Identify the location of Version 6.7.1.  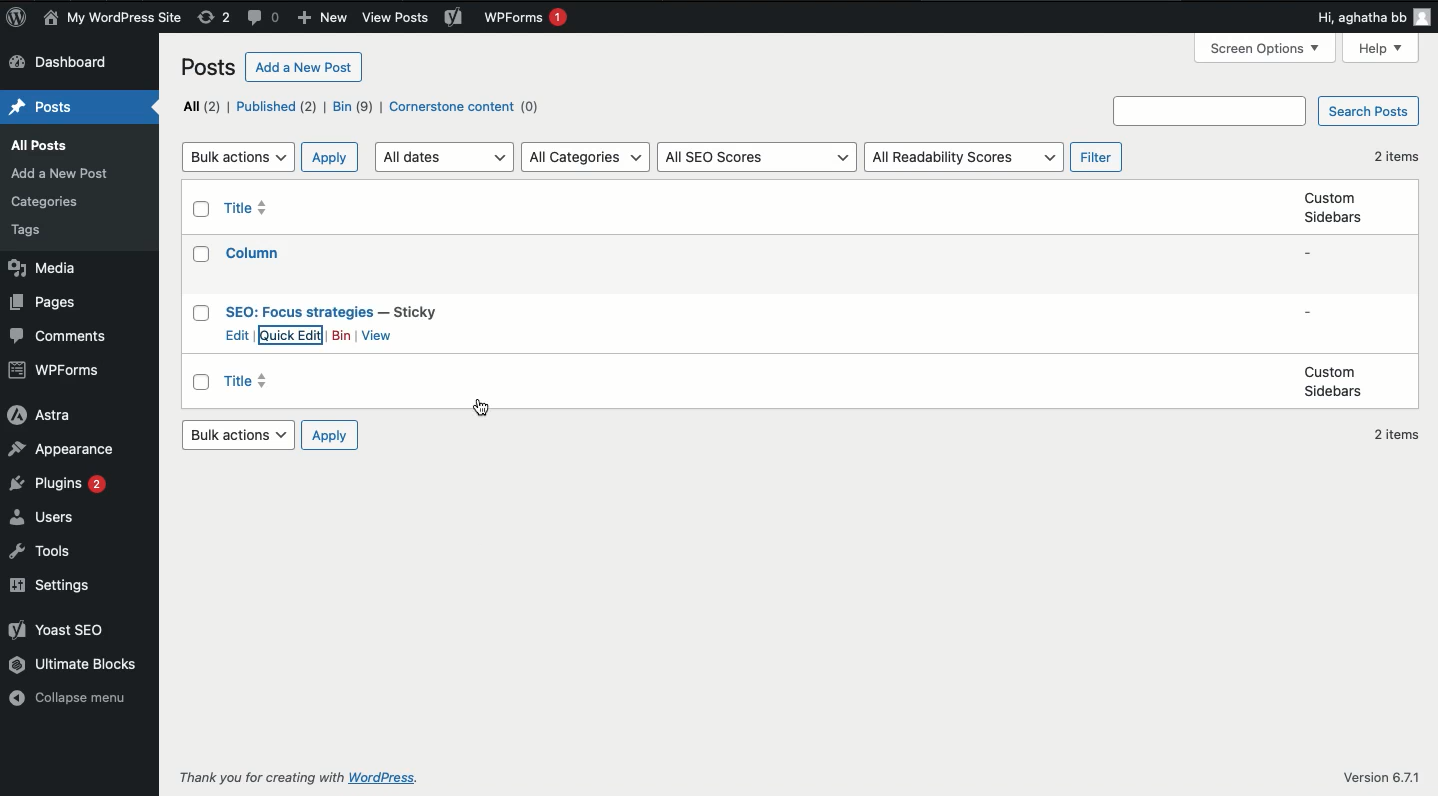
(1380, 776).